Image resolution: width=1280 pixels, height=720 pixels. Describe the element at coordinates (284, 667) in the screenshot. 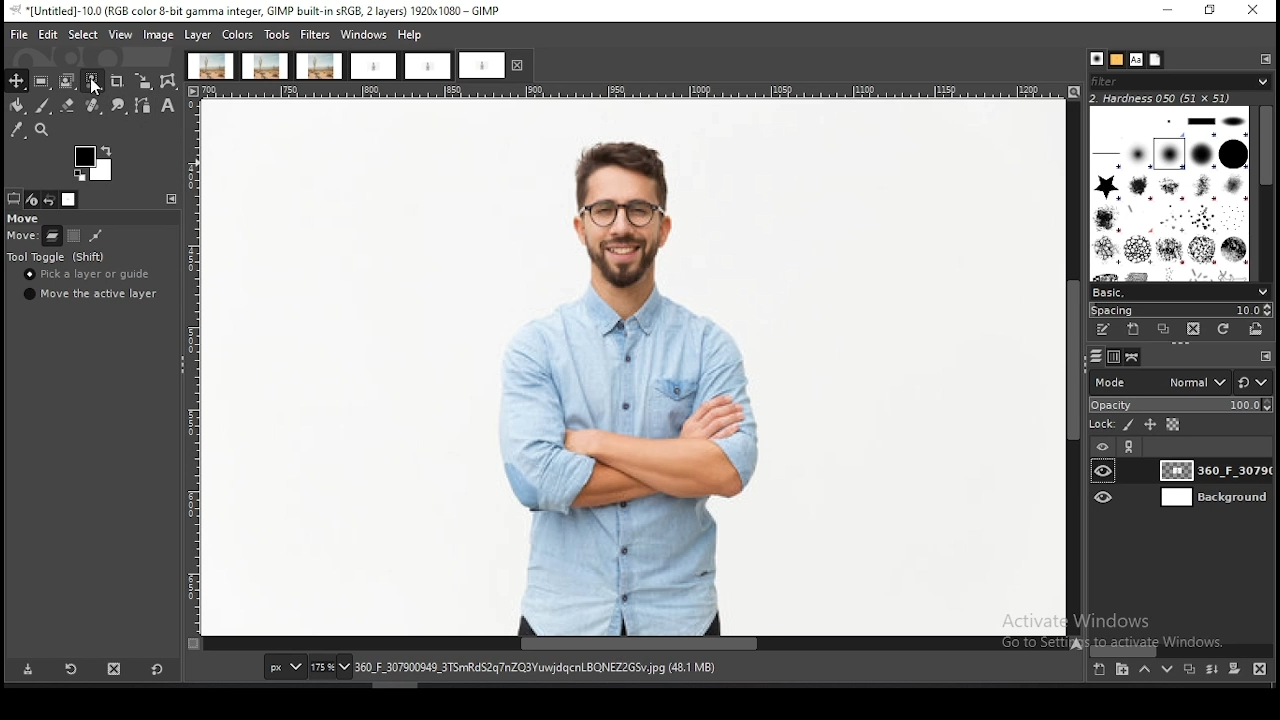

I see `units` at that location.